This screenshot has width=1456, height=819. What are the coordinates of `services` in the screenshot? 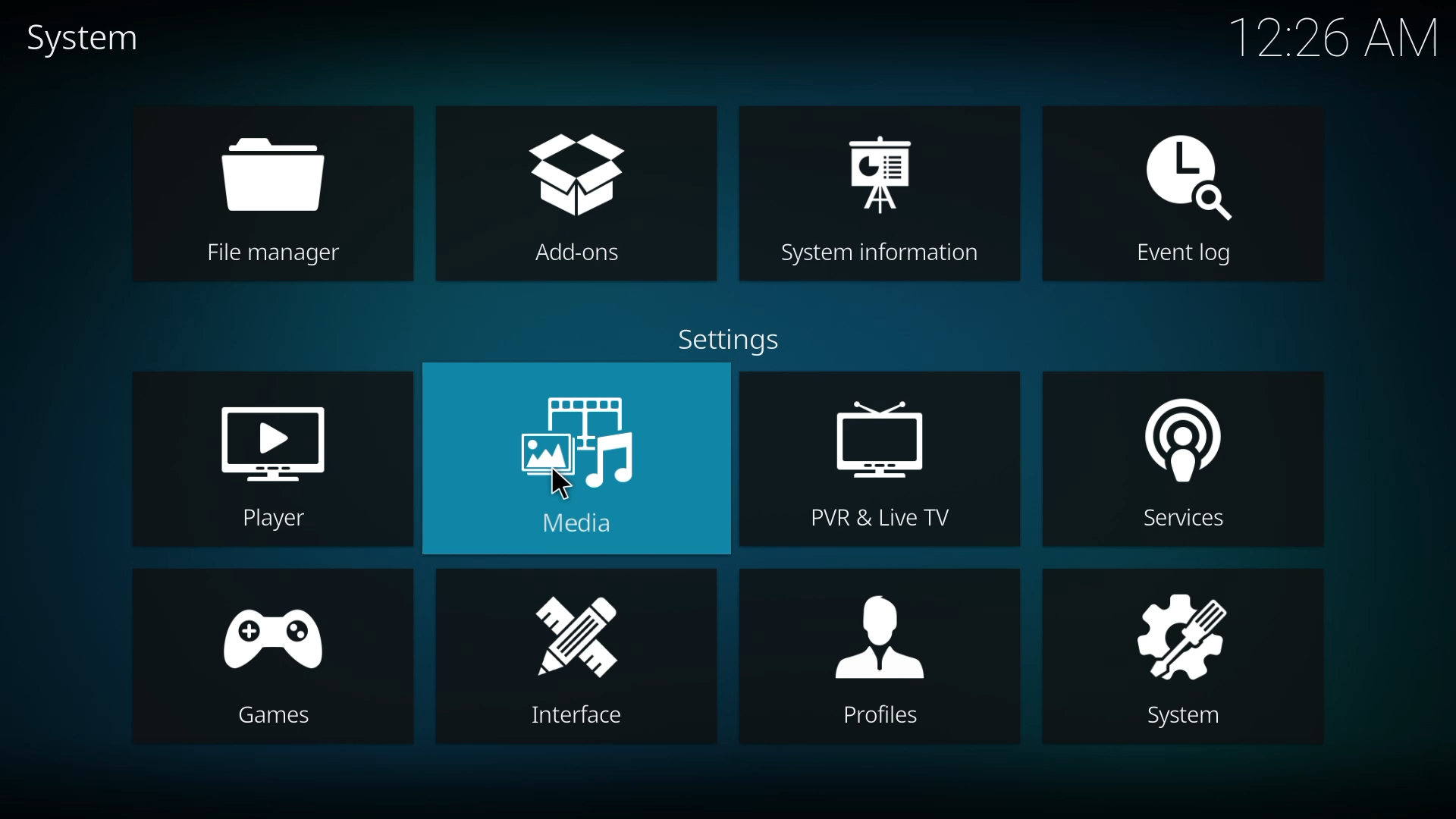 It's located at (1181, 463).